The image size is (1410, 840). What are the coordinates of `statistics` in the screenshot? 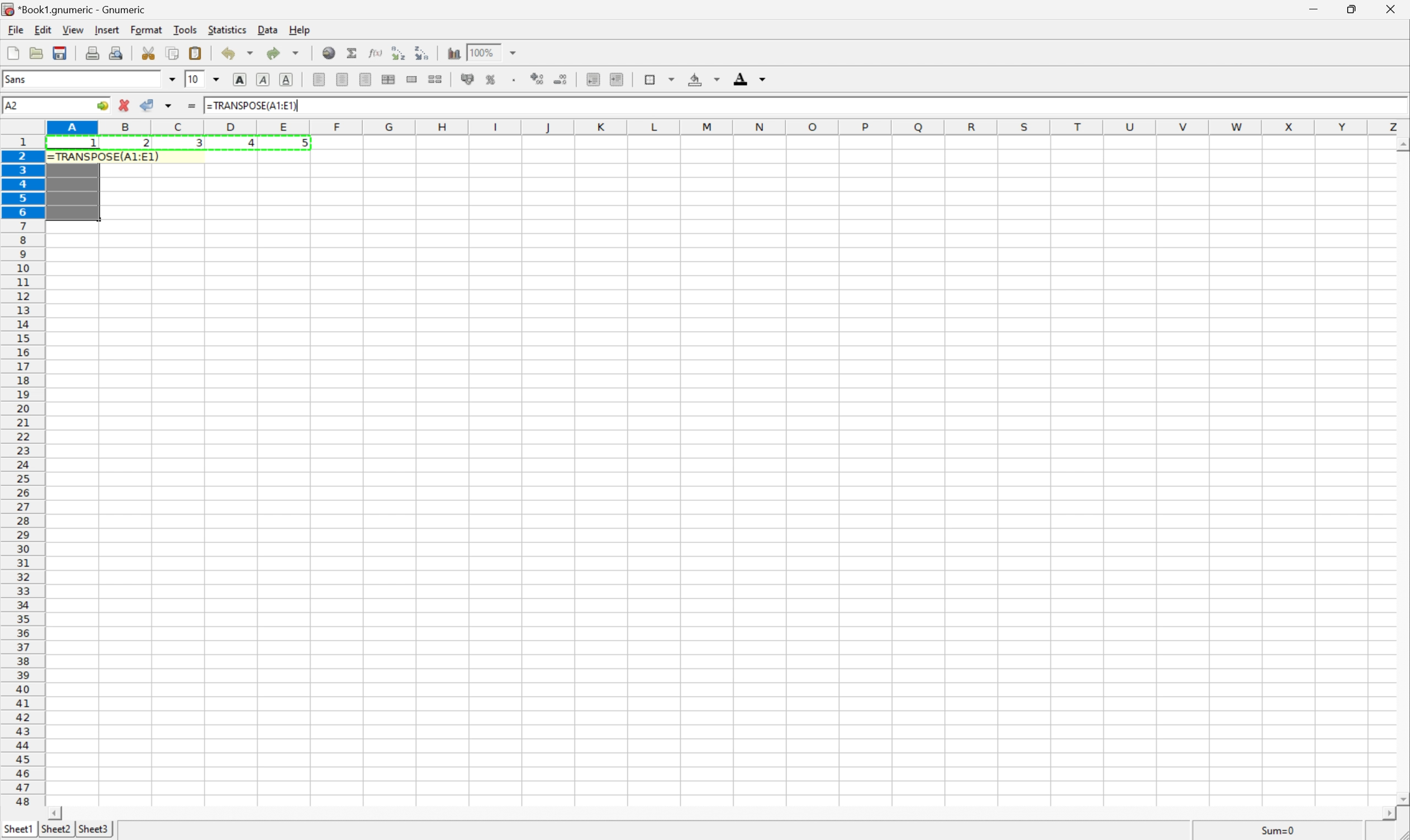 It's located at (227, 31).